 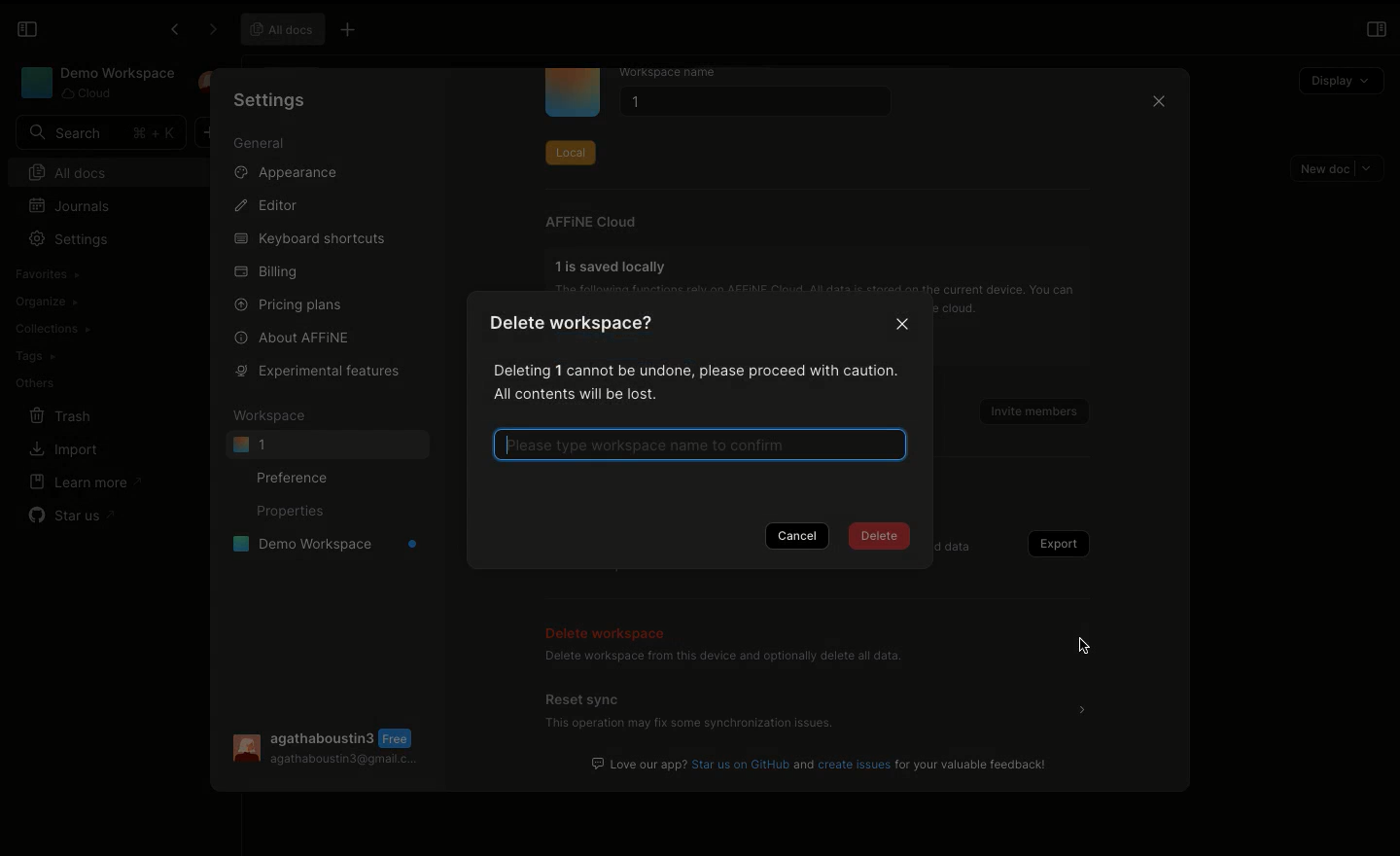 What do you see at coordinates (585, 698) in the screenshot?
I see `Reset sync` at bounding box center [585, 698].